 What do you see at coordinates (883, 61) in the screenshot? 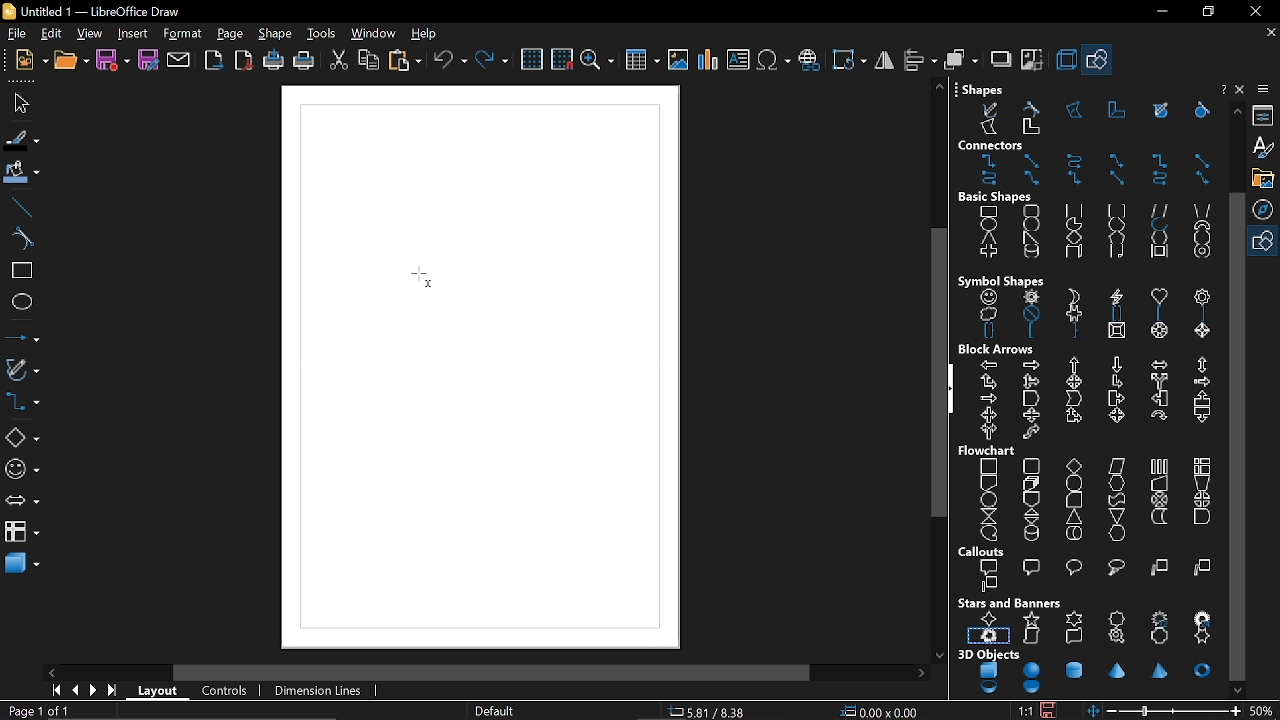
I see `Flip` at bounding box center [883, 61].